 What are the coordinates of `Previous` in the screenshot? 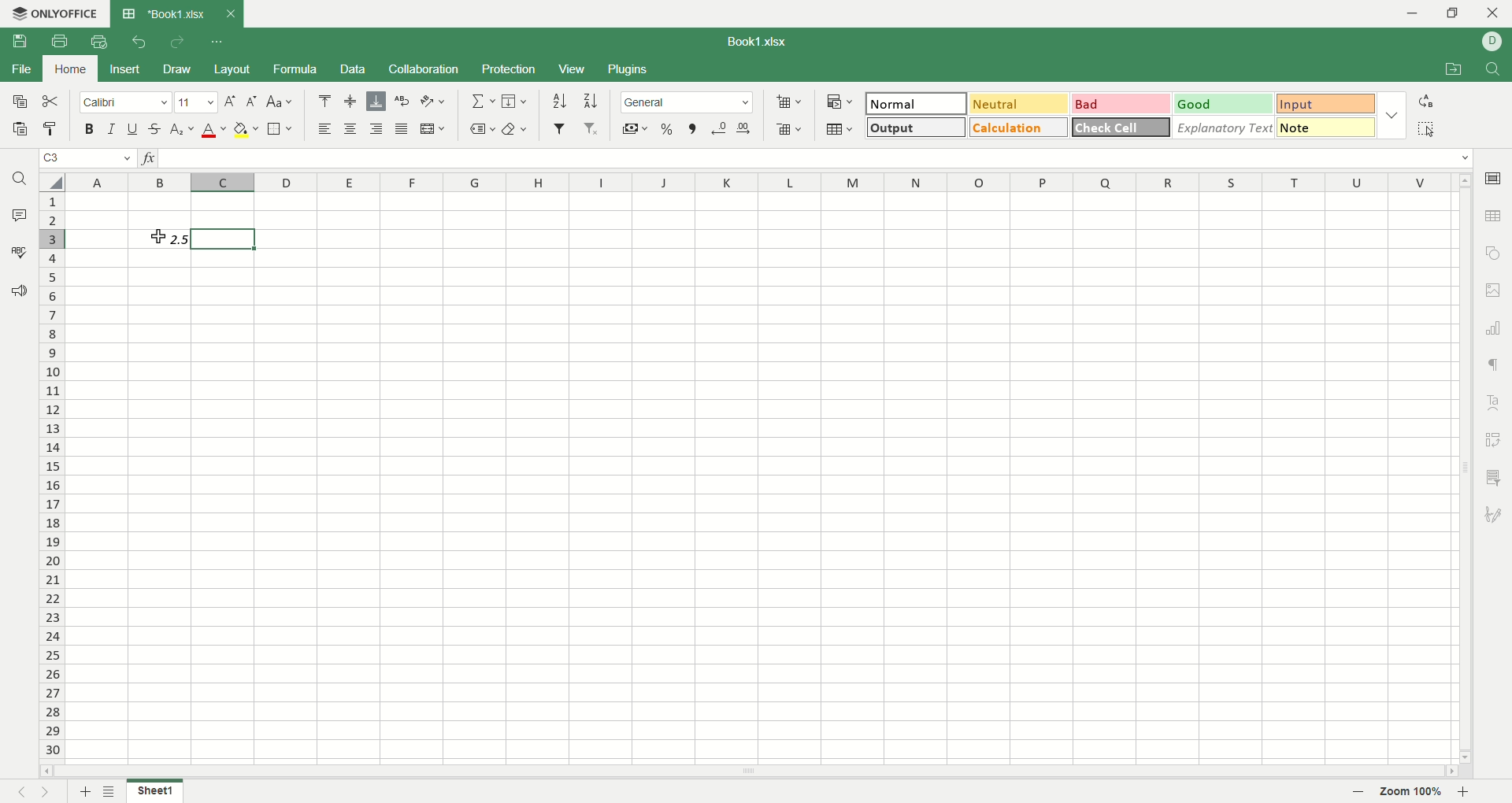 It's located at (20, 791).